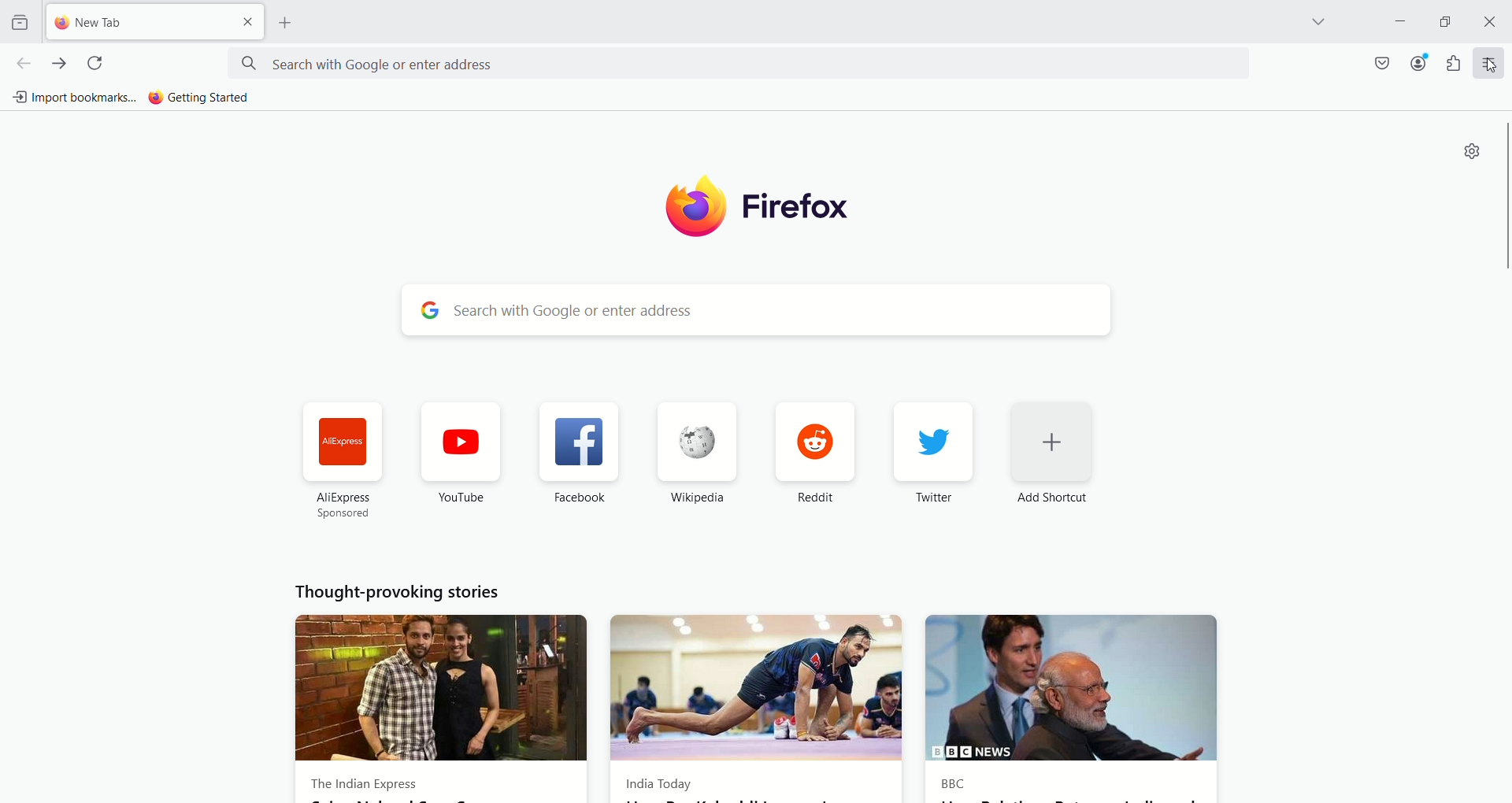 The image size is (1512, 803). I want to click on import bookmarks, so click(70, 98).